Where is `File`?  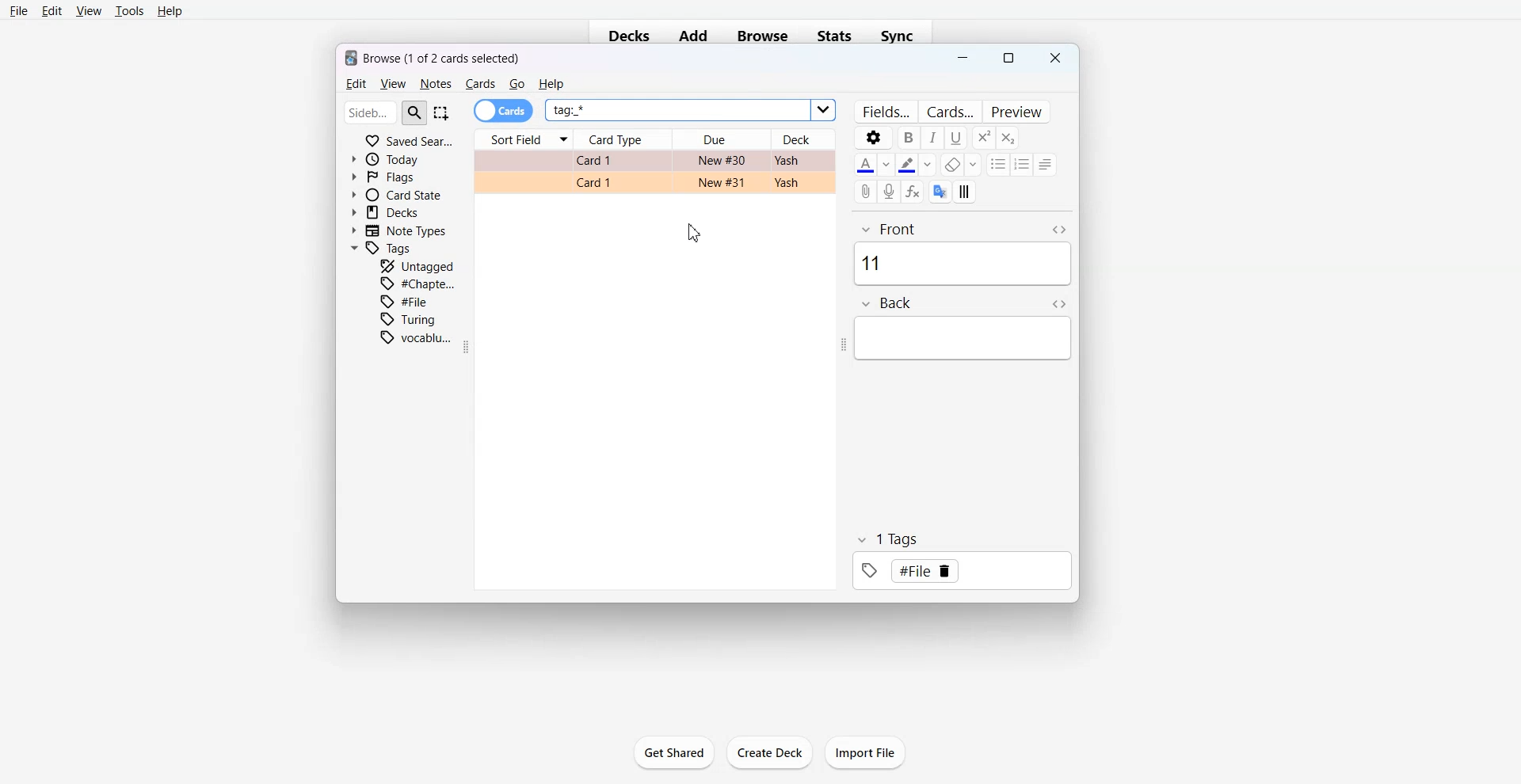 File is located at coordinates (19, 10).